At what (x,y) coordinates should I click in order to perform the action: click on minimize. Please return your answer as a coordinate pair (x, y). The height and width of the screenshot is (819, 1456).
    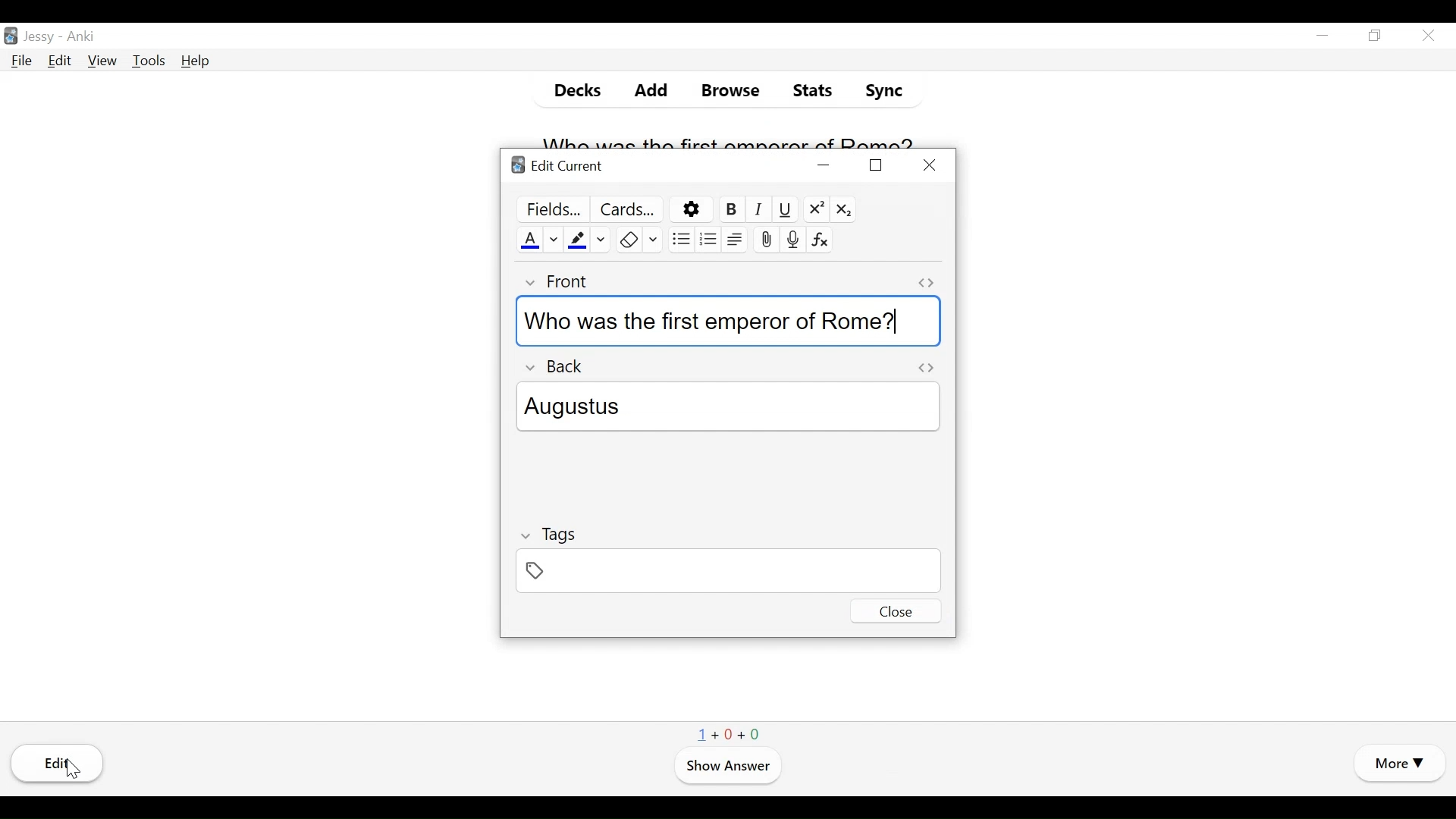
    Looking at the image, I should click on (824, 165).